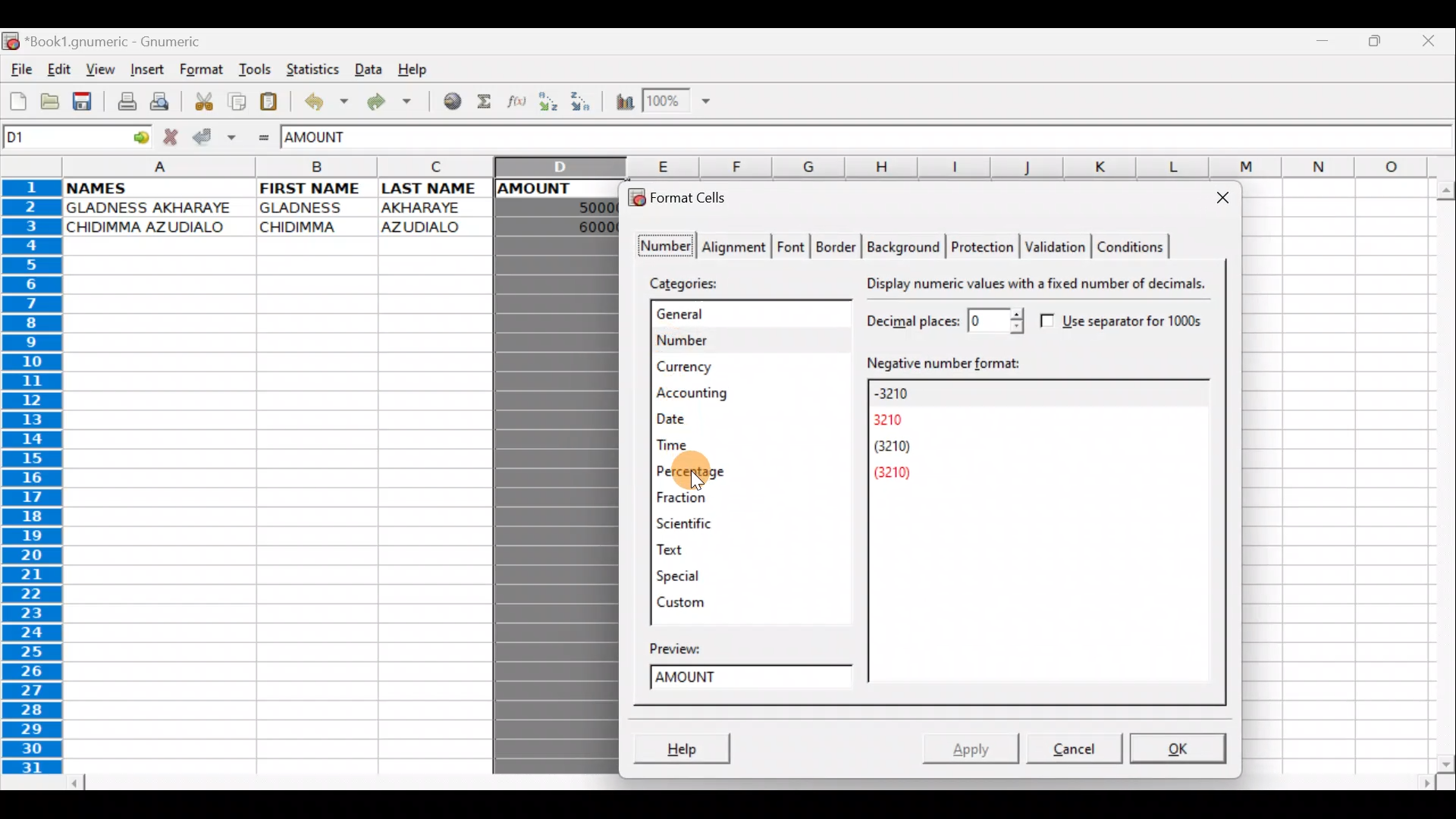 The image size is (1456, 819). What do you see at coordinates (551, 187) in the screenshot?
I see `AMOUNT` at bounding box center [551, 187].